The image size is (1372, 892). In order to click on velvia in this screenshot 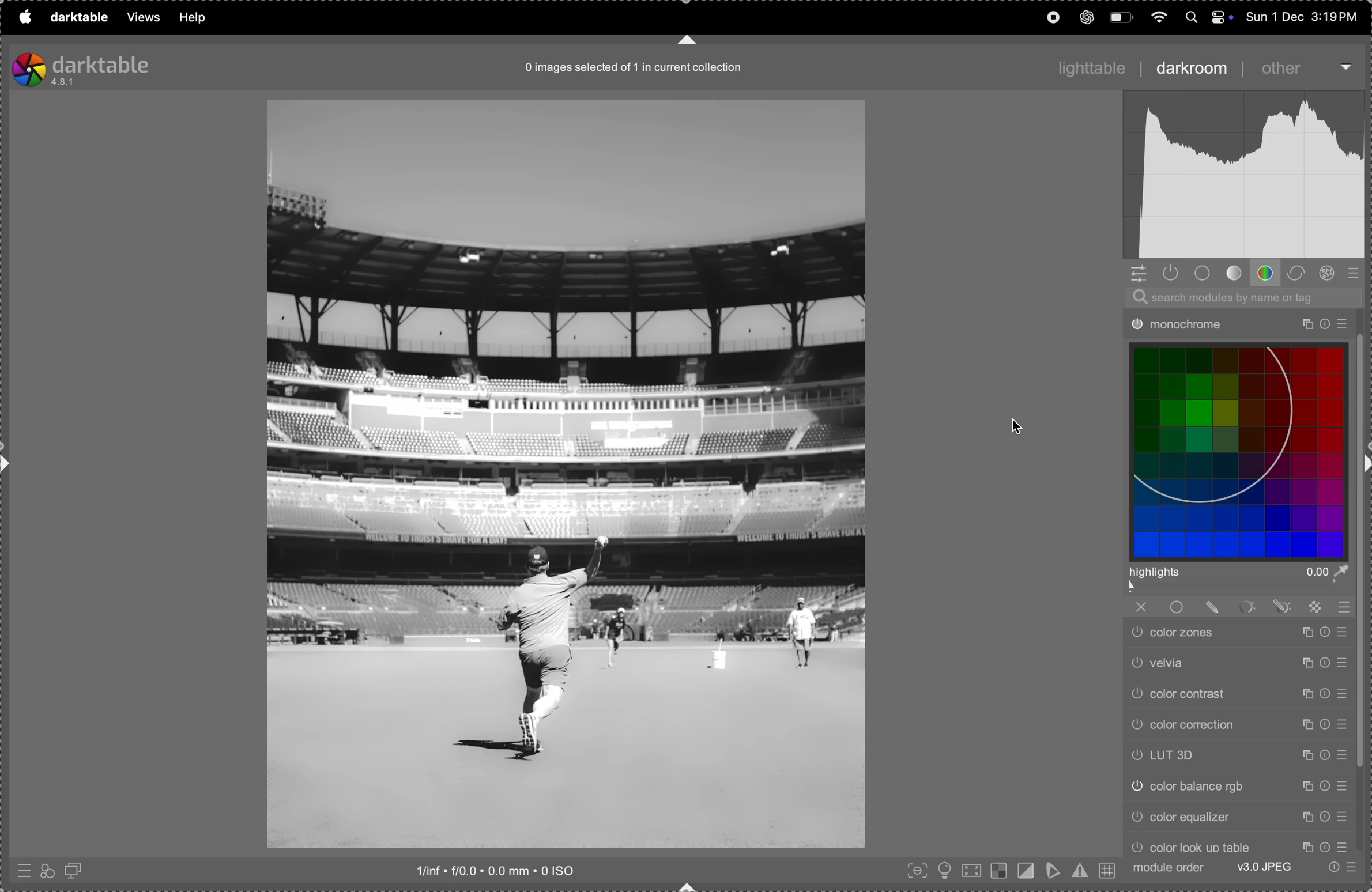, I will do `click(1239, 664)`.